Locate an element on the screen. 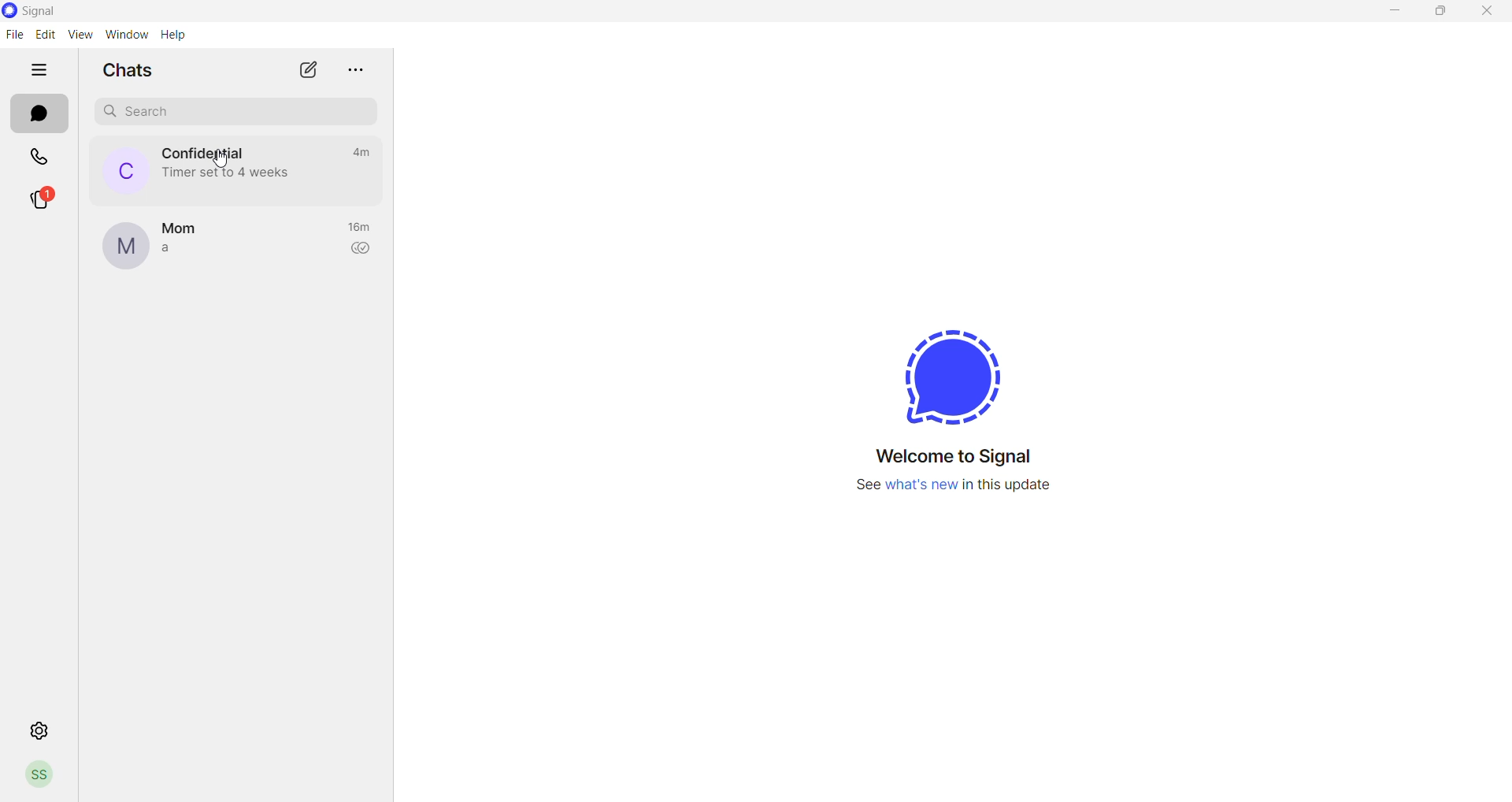 This screenshot has width=1512, height=802. chats is located at coordinates (41, 114).